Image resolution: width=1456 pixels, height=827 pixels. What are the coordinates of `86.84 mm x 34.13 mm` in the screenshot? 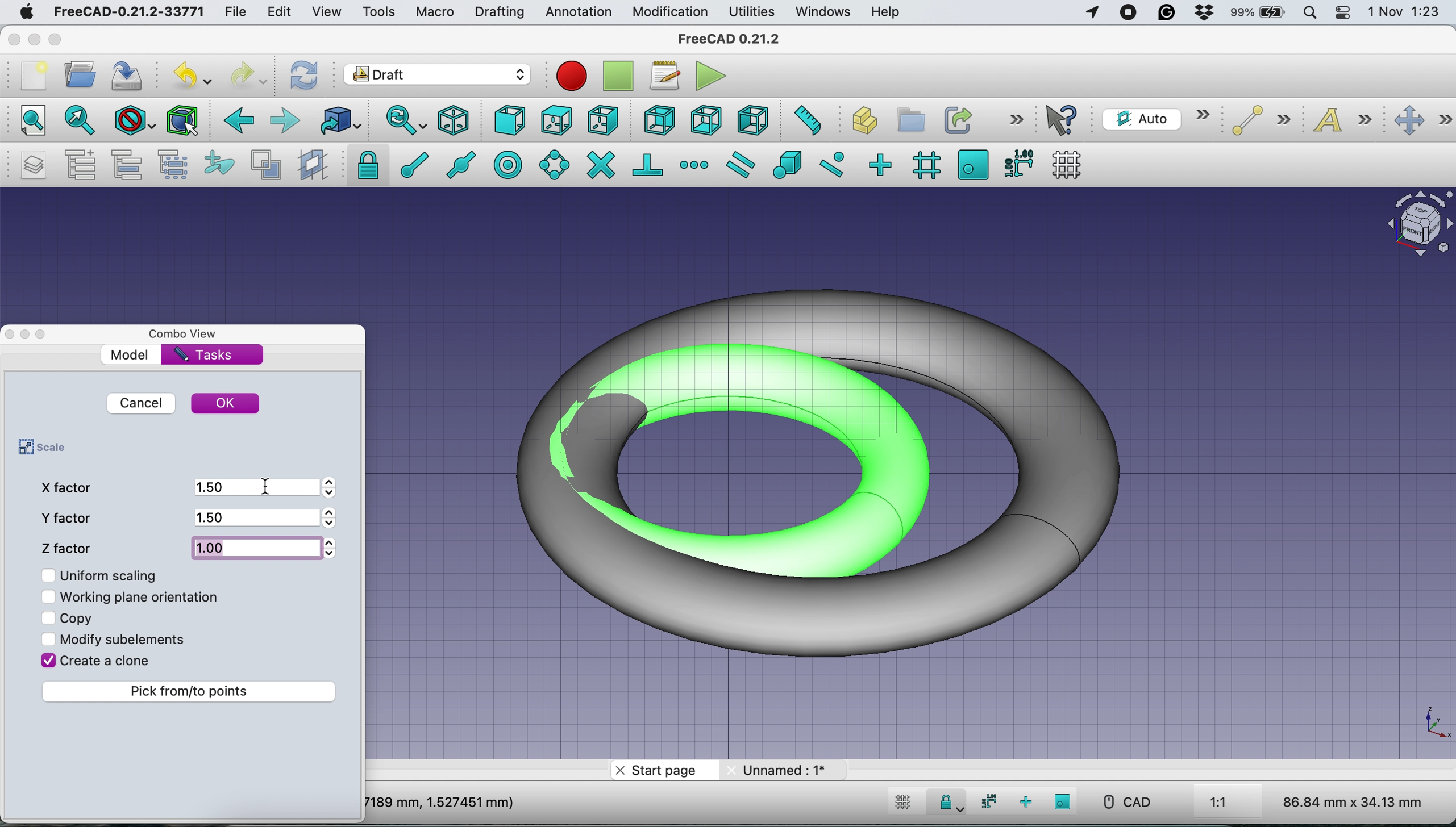 It's located at (1354, 801).